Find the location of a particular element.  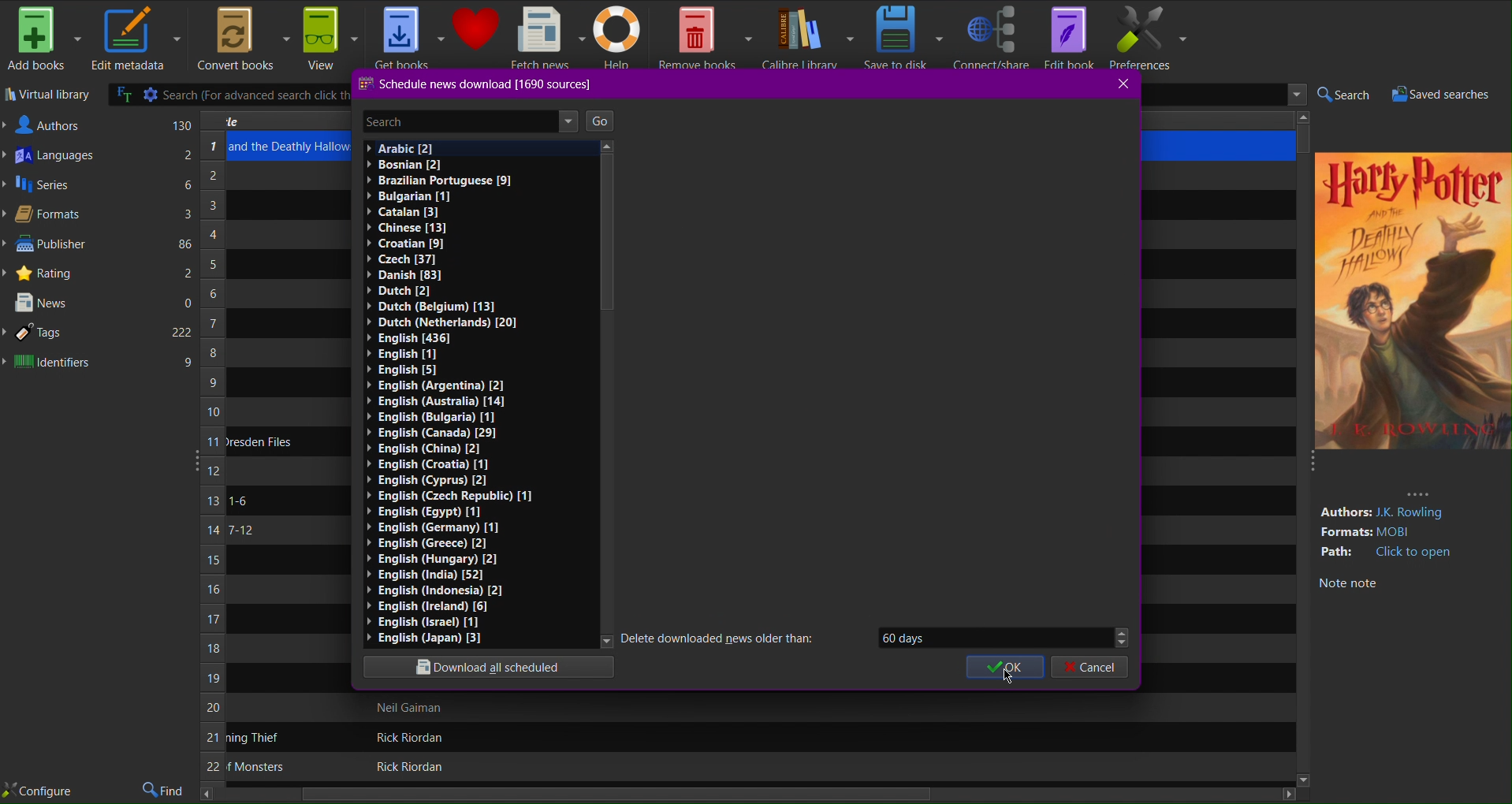

Chinese [13] is located at coordinates (408, 227).